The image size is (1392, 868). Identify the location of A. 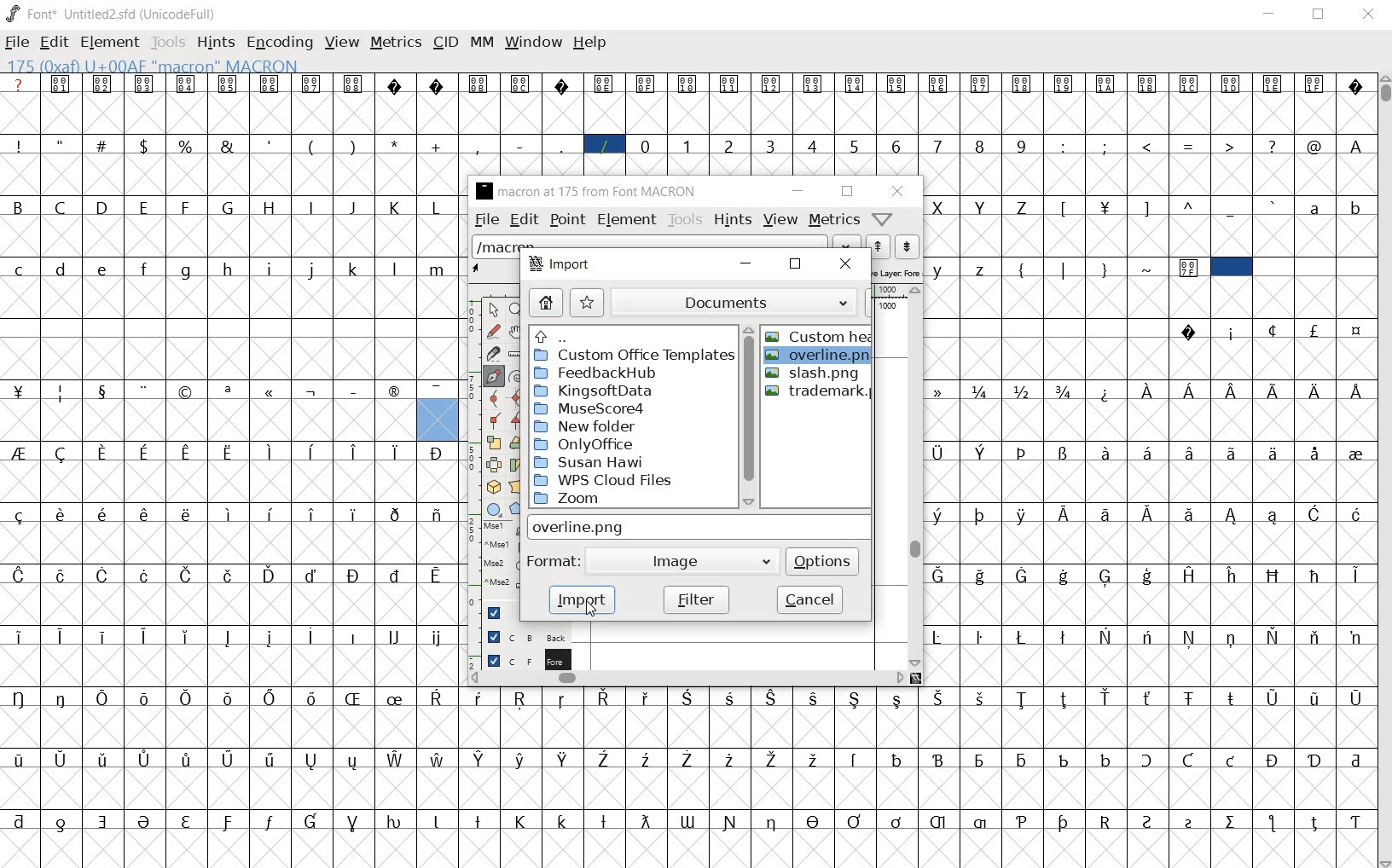
(1358, 145).